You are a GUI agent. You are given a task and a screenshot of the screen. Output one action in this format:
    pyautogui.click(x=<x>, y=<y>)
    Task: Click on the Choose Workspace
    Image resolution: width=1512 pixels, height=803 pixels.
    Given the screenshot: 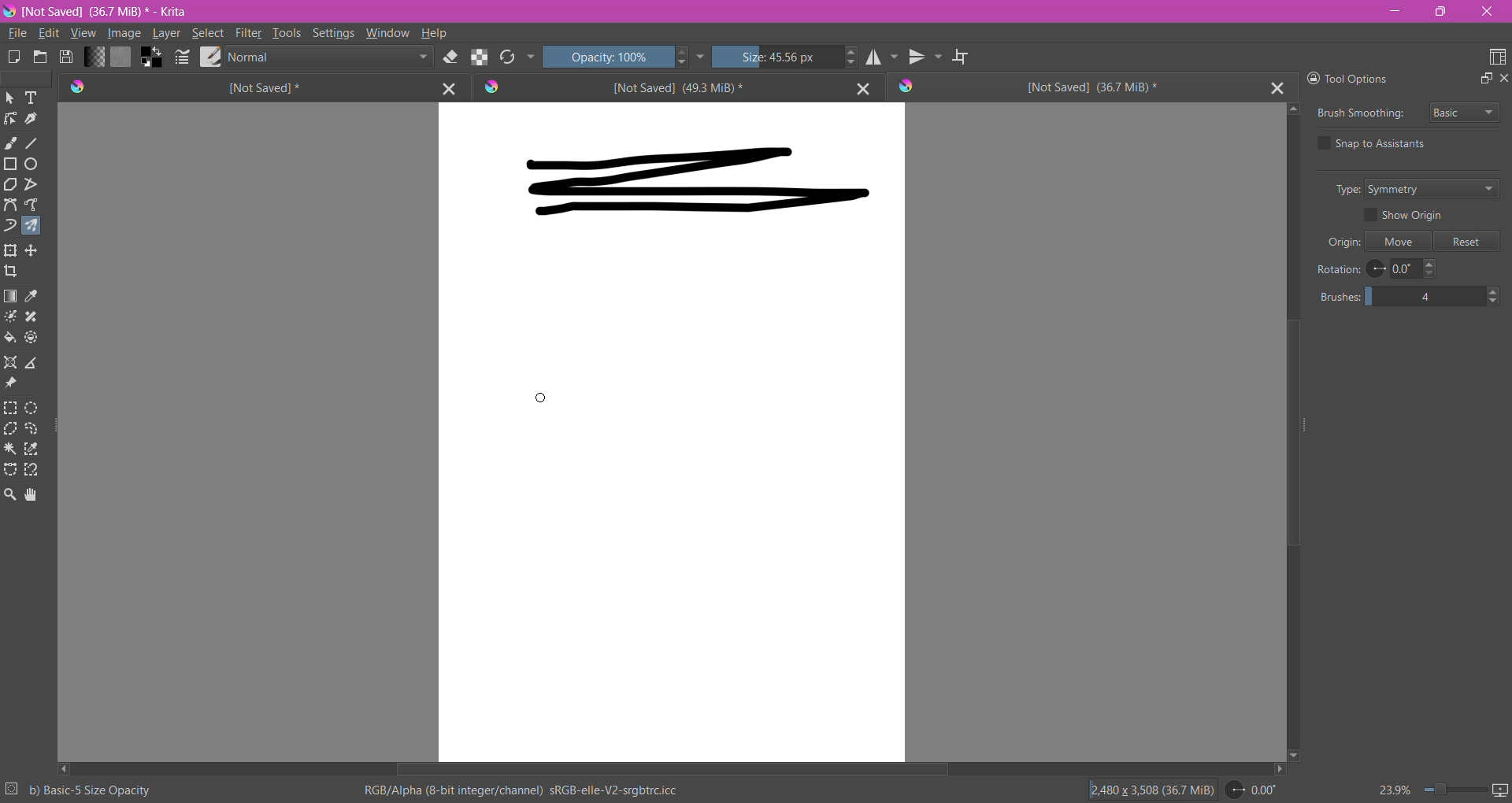 What is the action you would take?
    pyautogui.click(x=1496, y=57)
    